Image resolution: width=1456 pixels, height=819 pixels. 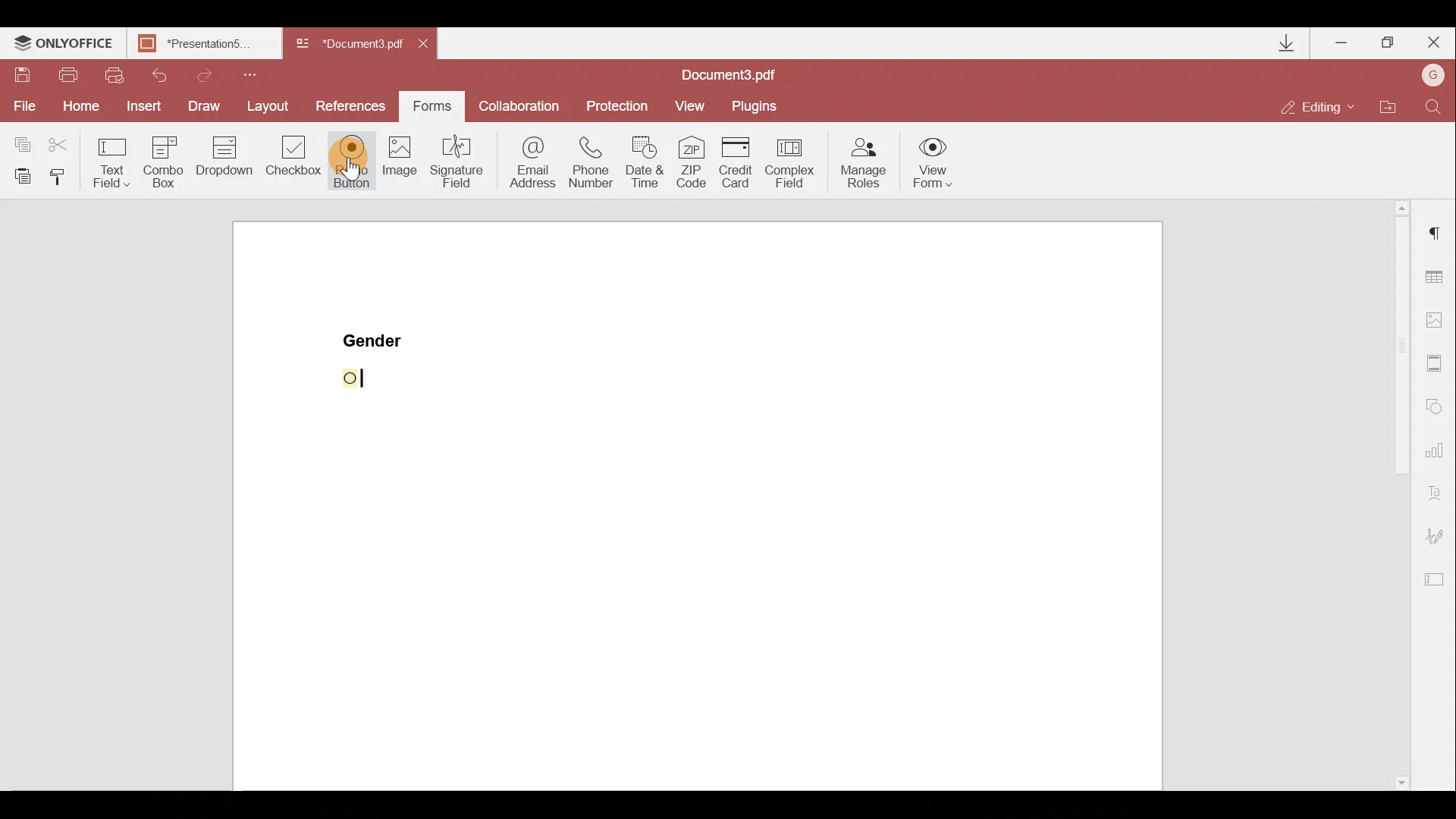 I want to click on Form settings, so click(x=1438, y=583).